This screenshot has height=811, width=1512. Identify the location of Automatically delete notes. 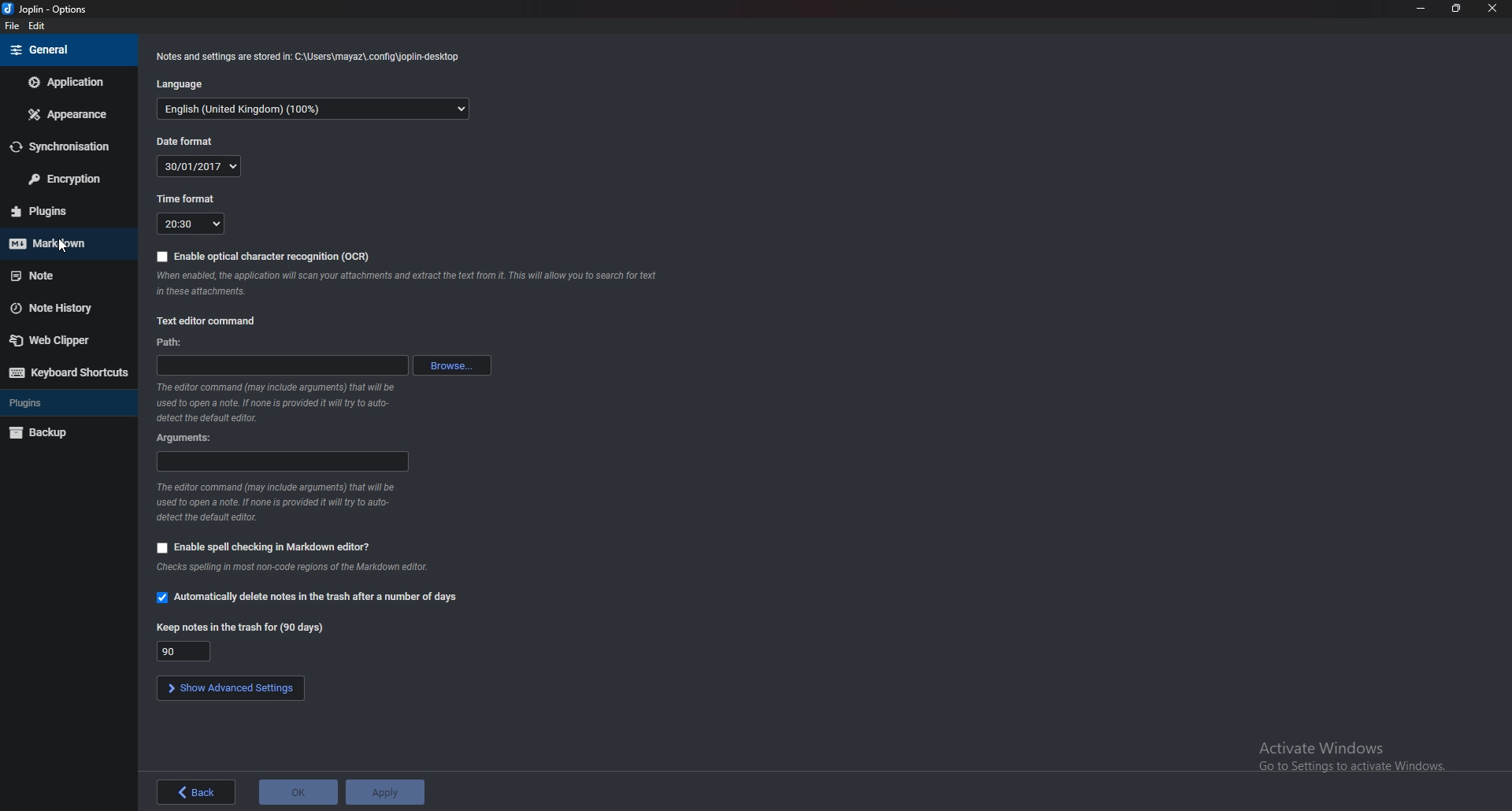
(306, 597).